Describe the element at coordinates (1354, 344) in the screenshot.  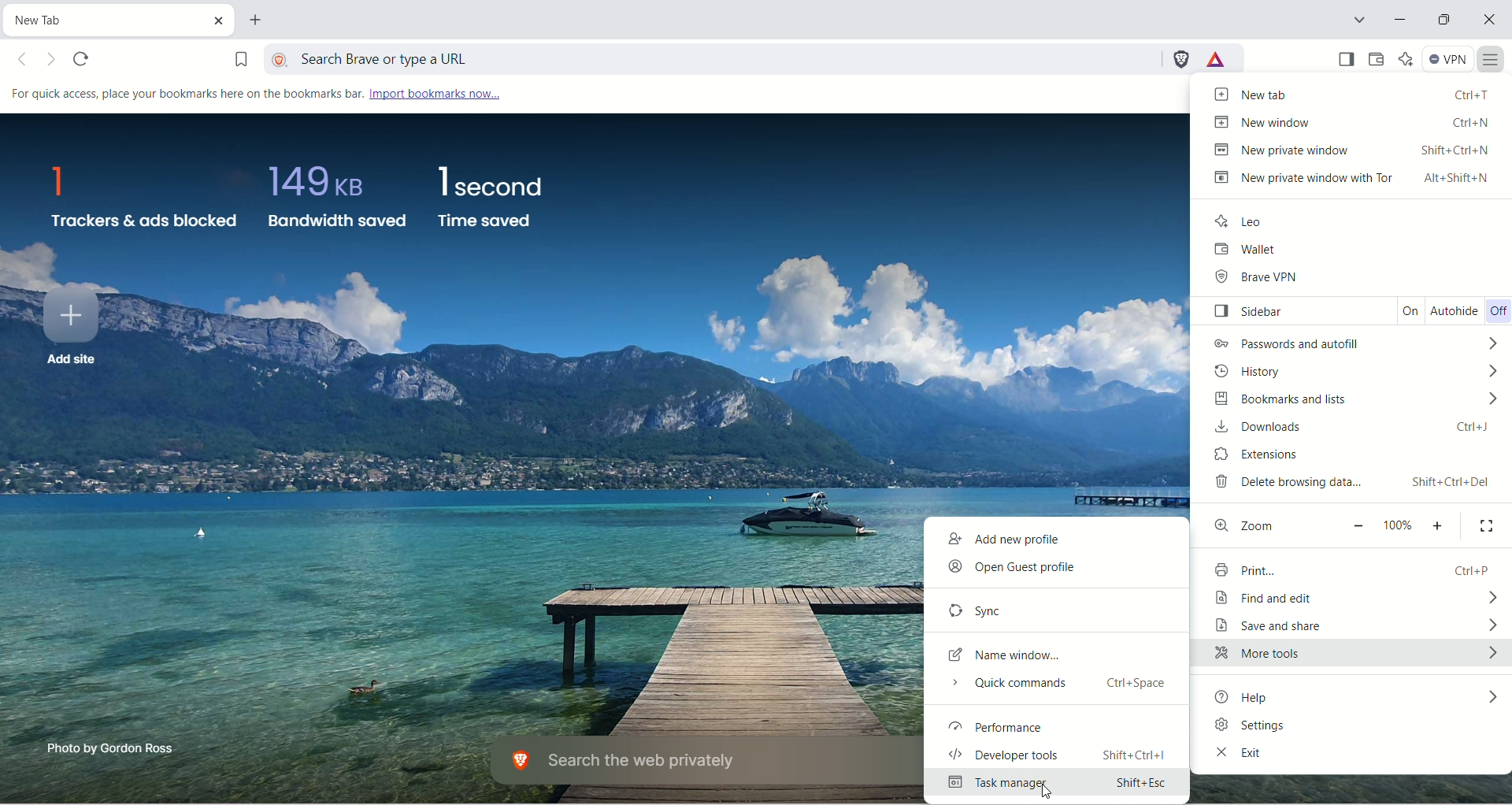
I see `password and autofill` at that location.